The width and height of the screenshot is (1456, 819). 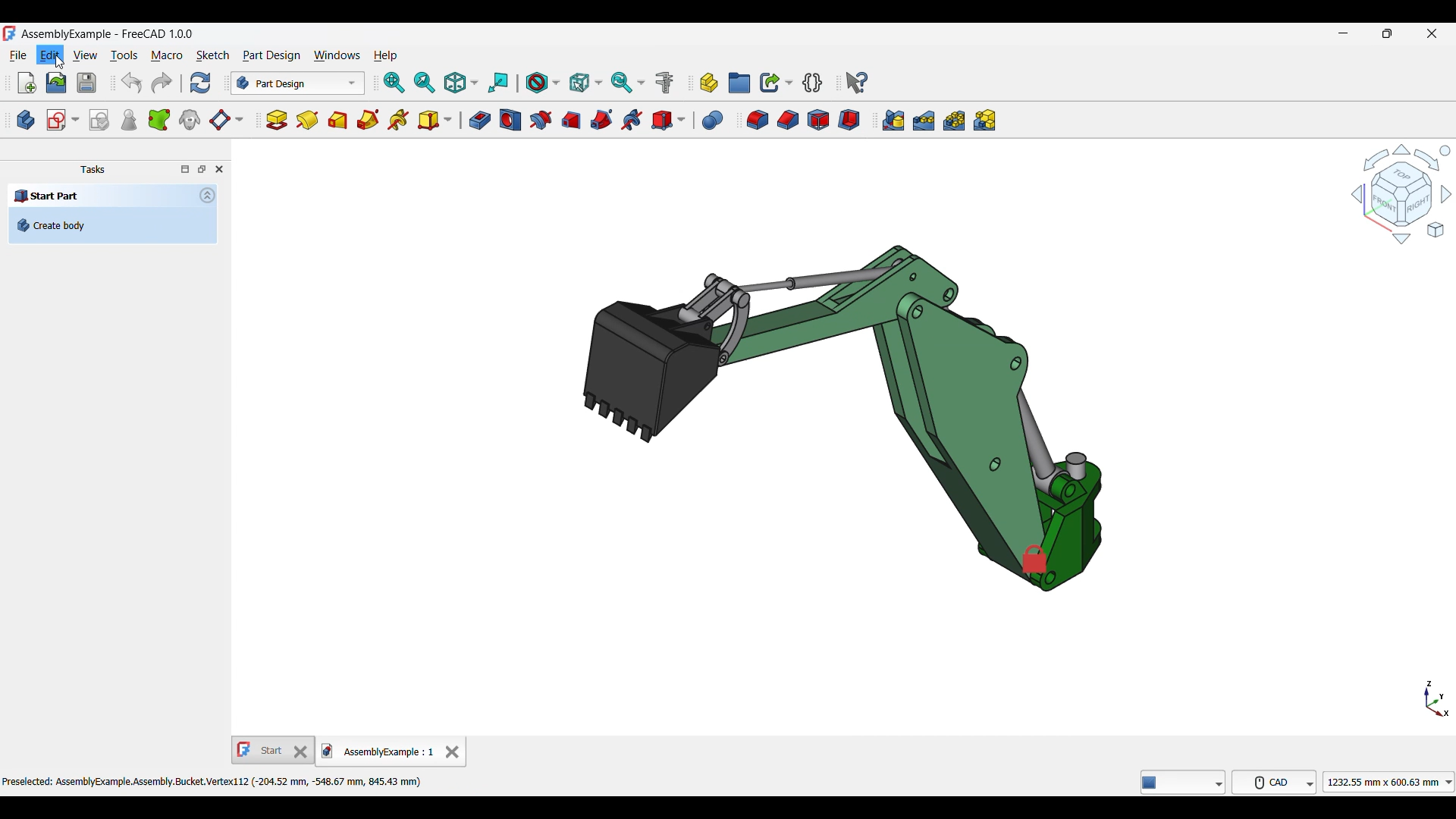 What do you see at coordinates (274, 750) in the screenshot?
I see `Other tab` at bounding box center [274, 750].